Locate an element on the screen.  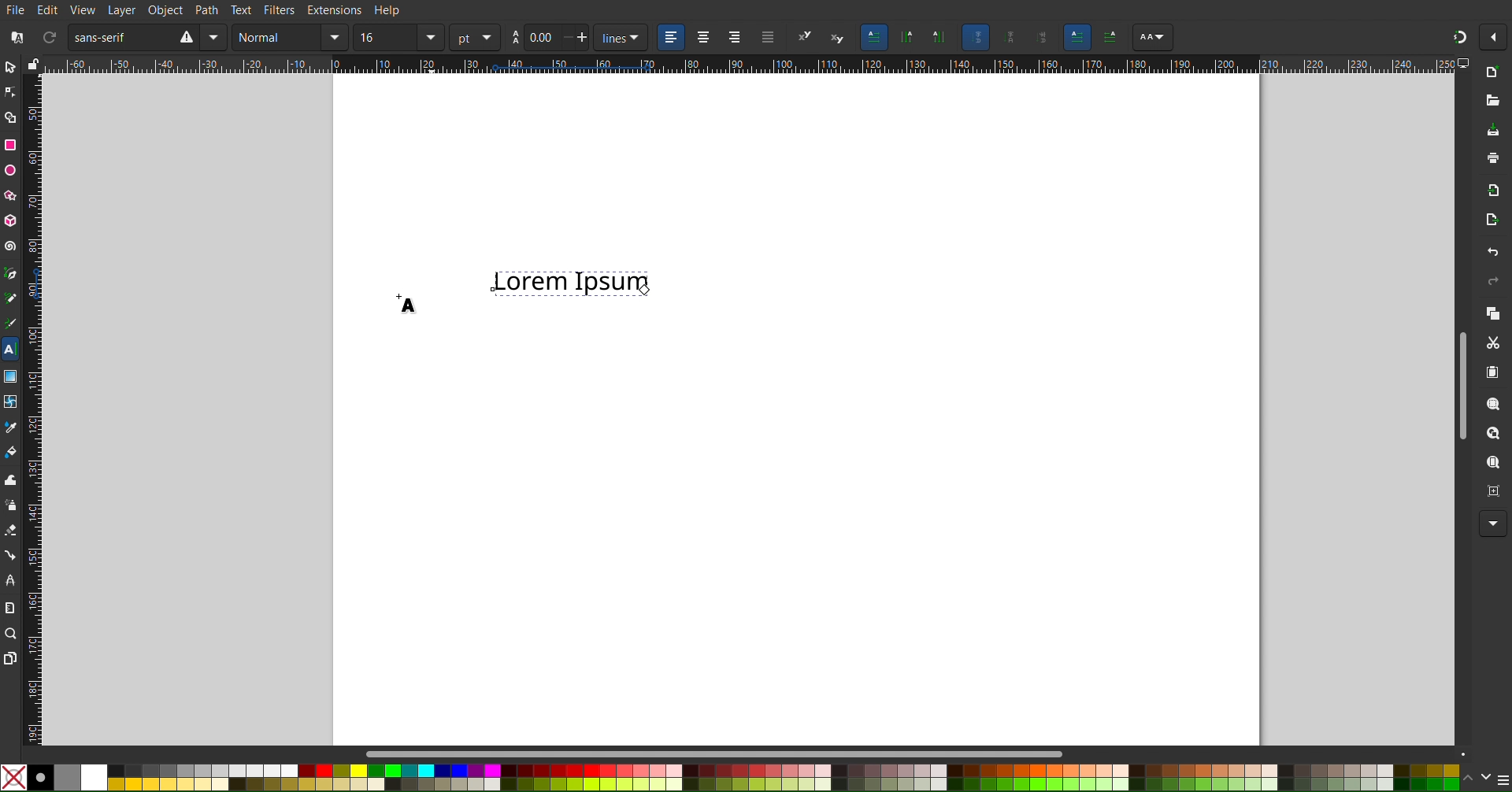
Zoom Selection is located at coordinates (1493, 403).